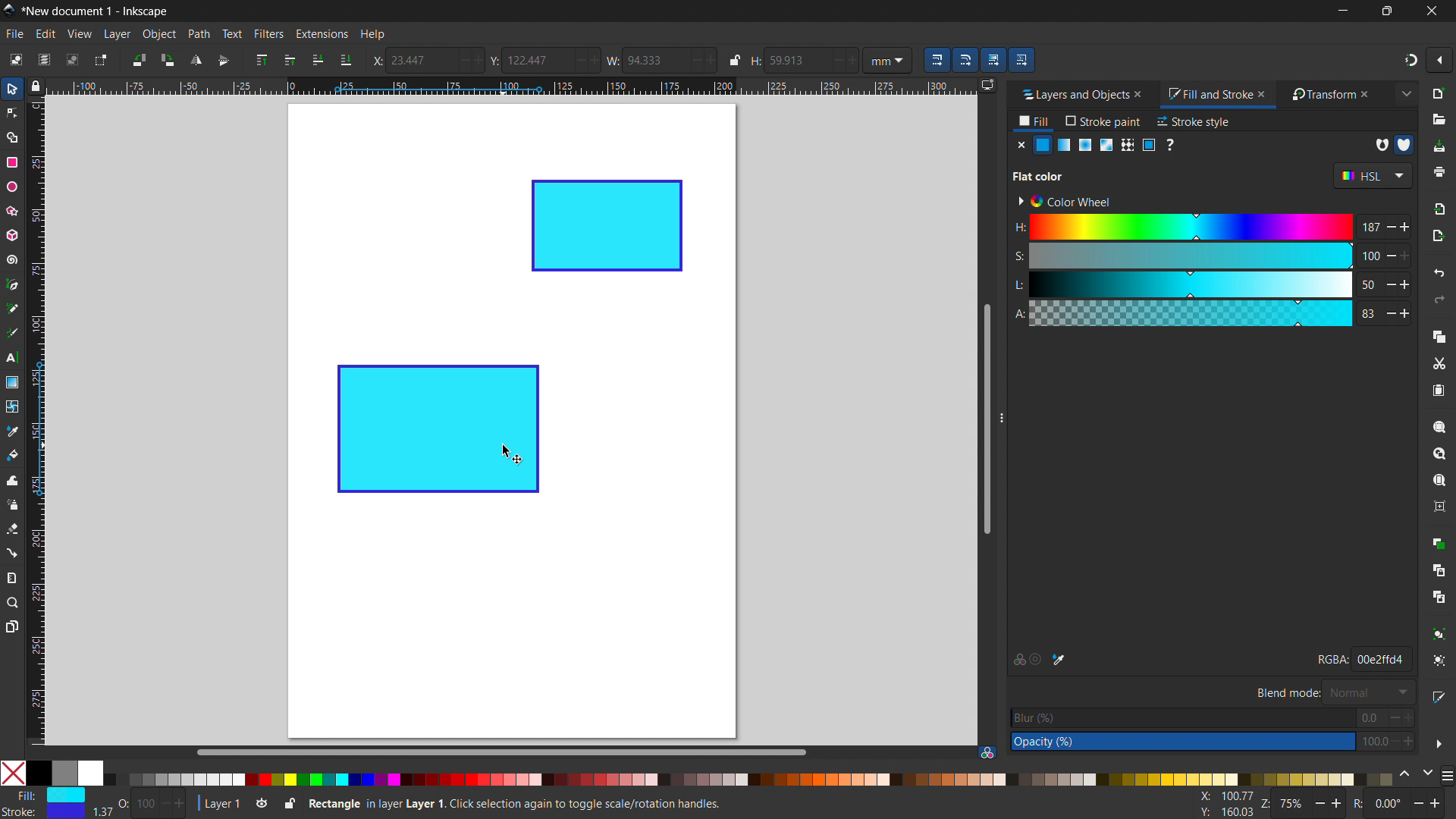 The width and height of the screenshot is (1456, 819). What do you see at coordinates (1439, 365) in the screenshot?
I see `cut` at bounding box center [1439, 365].